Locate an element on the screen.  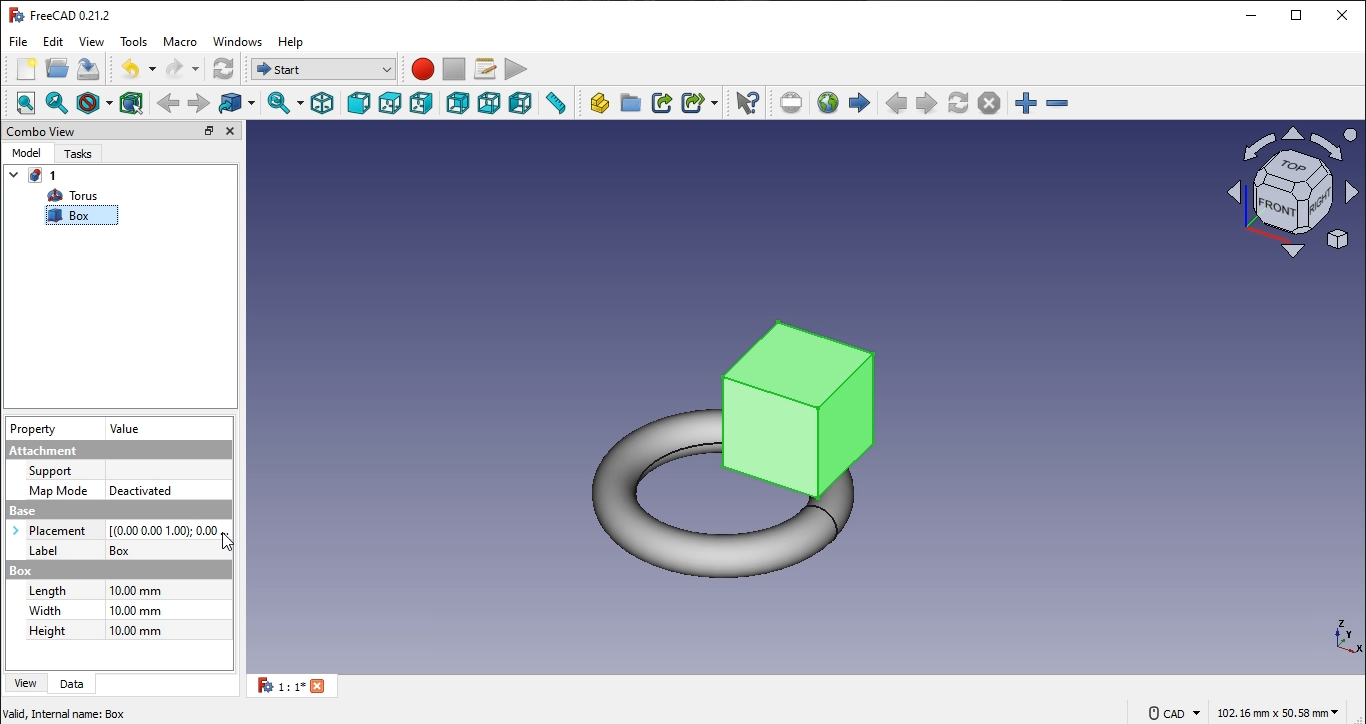
close is located at coordinates (1342, 13).